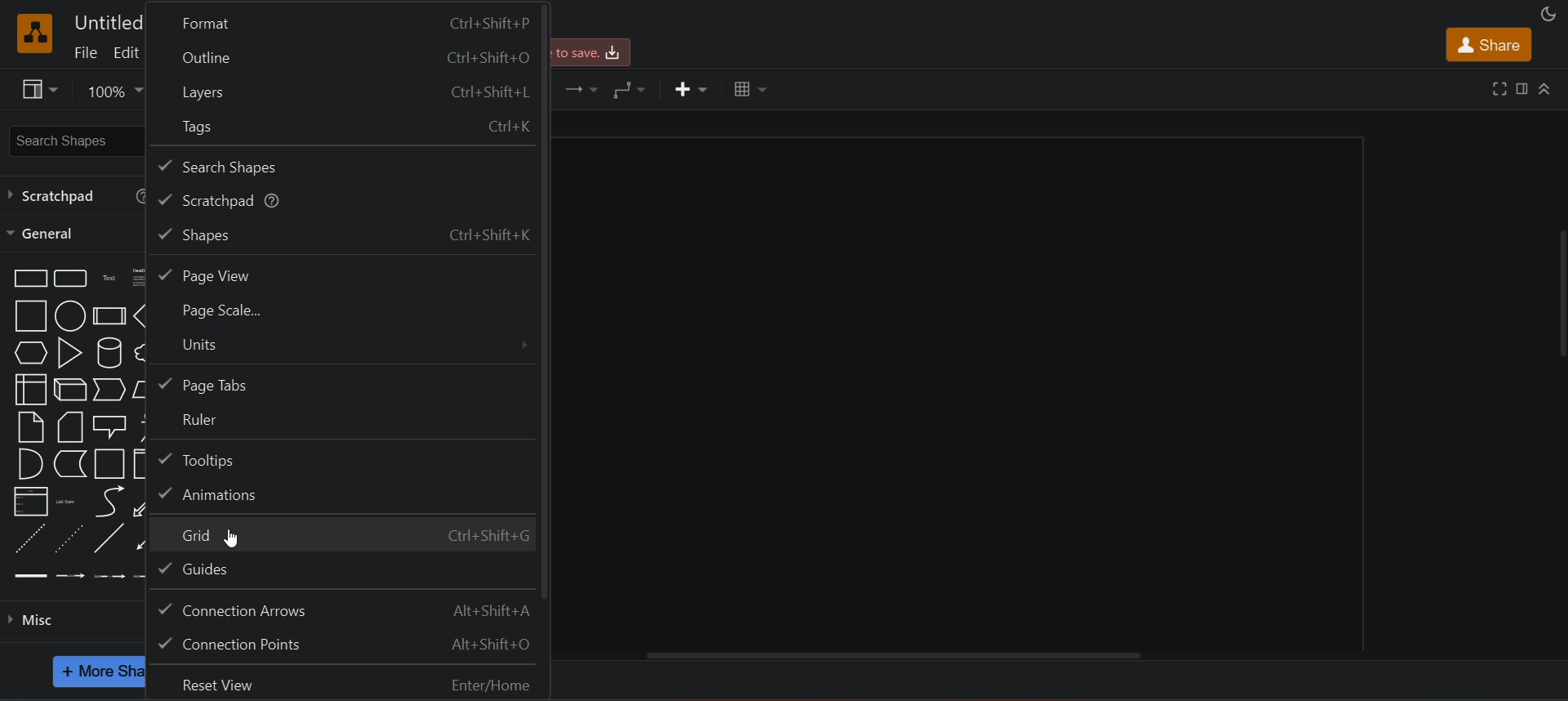 The image size is (1568, 701). I want to click on scratchpad, so click(346, 203).